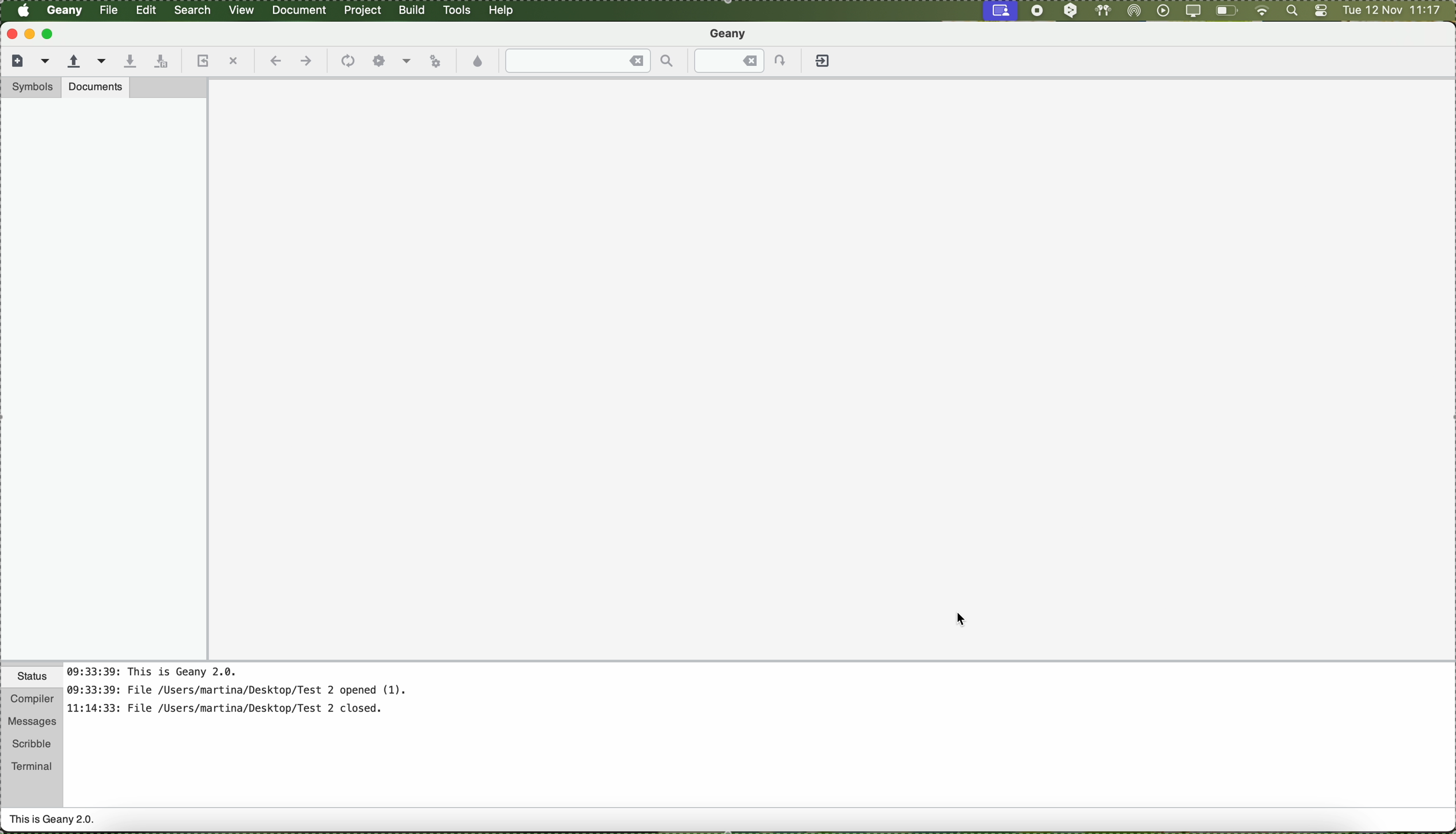 The image size is (1456, 834). What do you see at coordinates (201, 62) in the screenshot?
I see `reload the current file from disk` at bounding box center [201, 62].